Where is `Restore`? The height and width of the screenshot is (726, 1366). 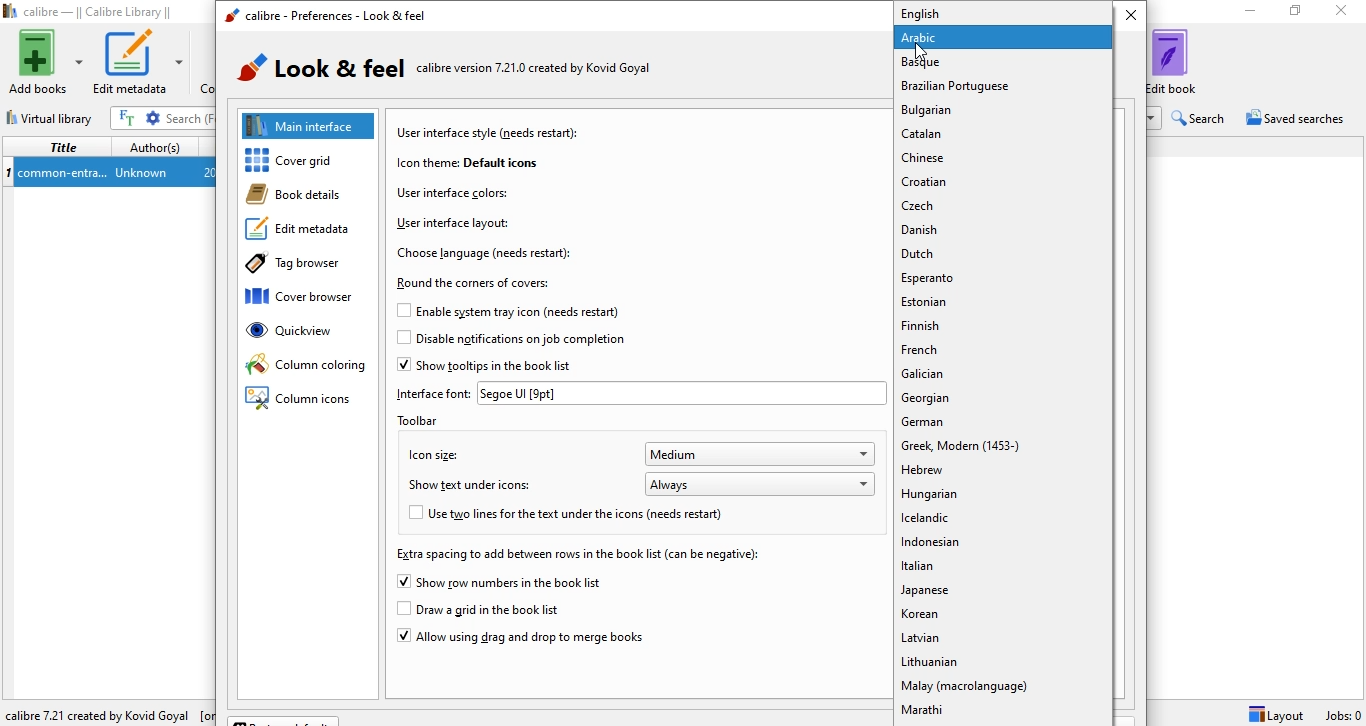 Restore is located at coordinates (1295, 14).